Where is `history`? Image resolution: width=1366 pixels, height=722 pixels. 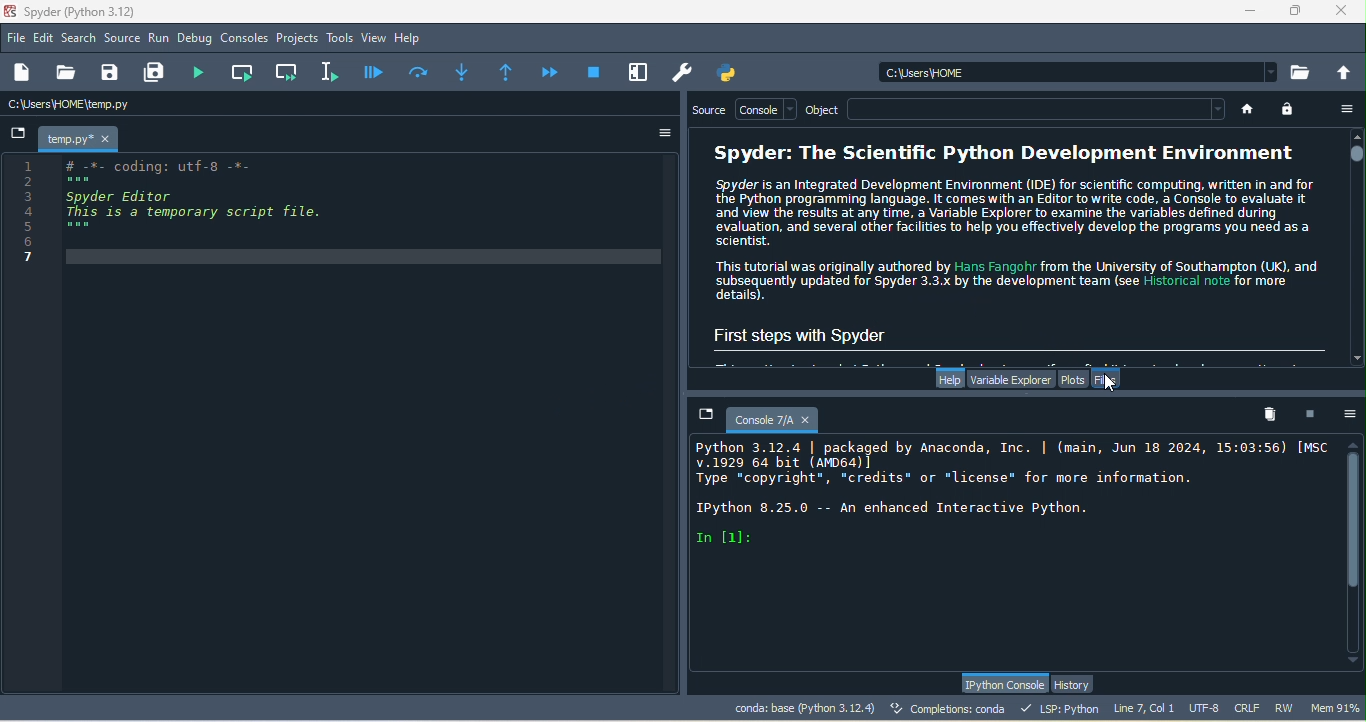 history is located at coordinates (1076, 684).